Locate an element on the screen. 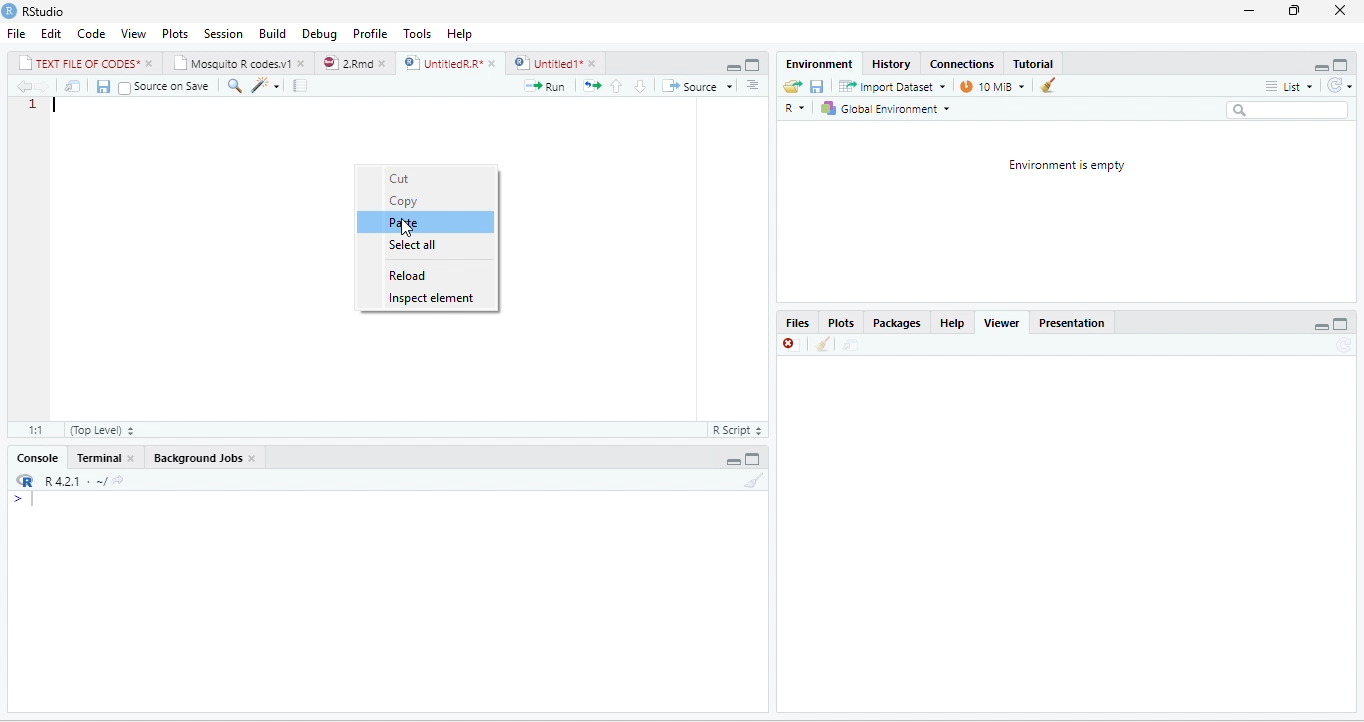 The image size is (1364, 722). source on save is located at coordinates (171, 86).